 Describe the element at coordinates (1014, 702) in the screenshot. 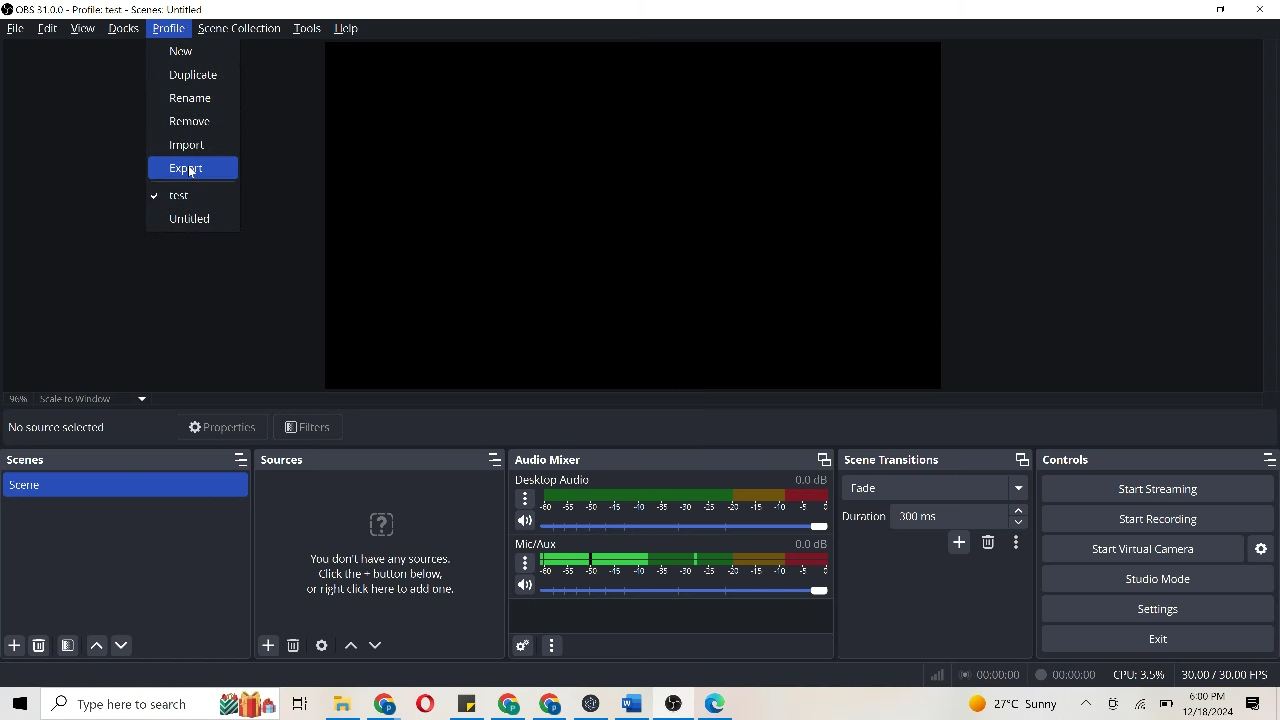

I see `weahter` at that location.